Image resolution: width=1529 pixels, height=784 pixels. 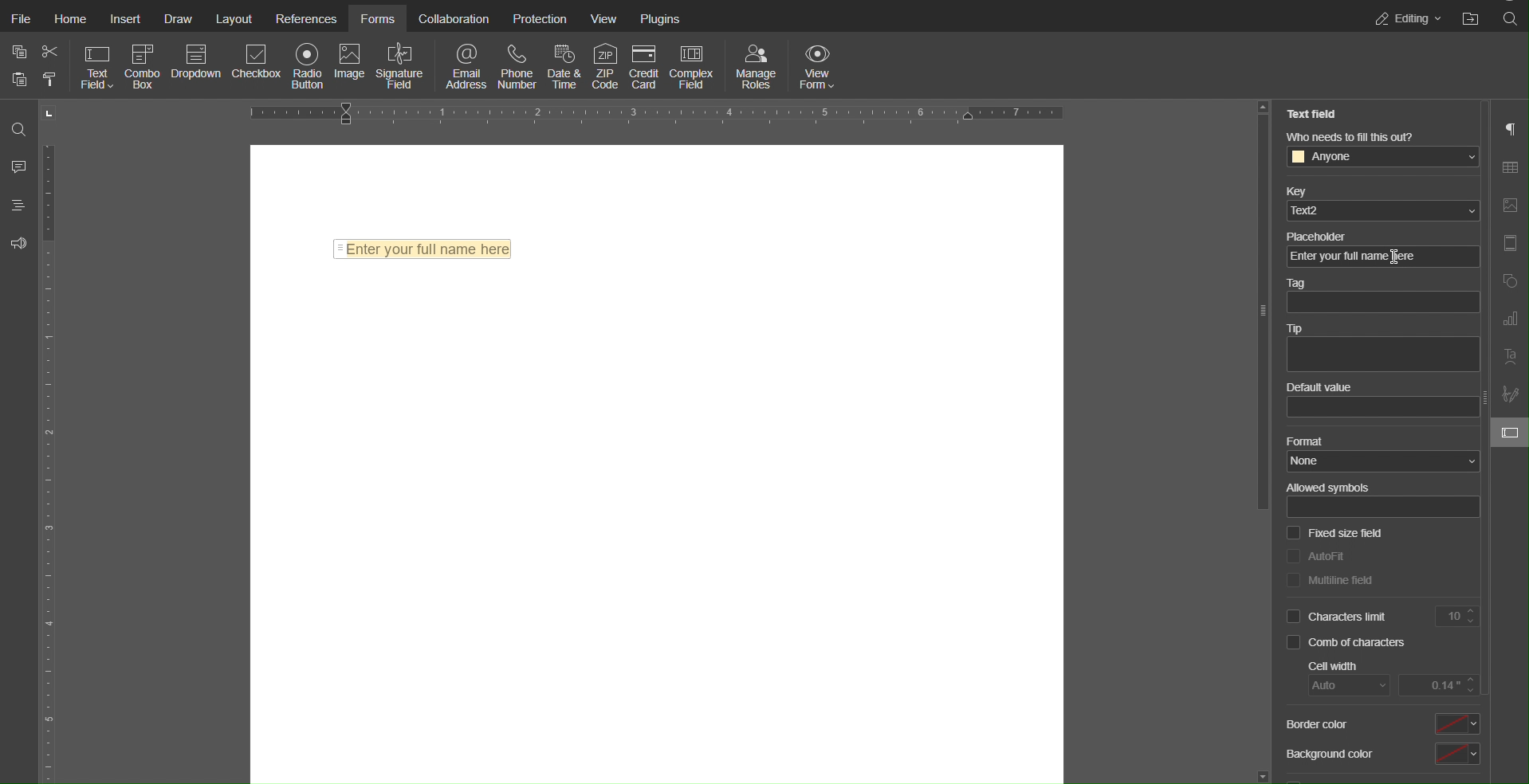 I want to click on Fixed size field, so click(x=1335, y=534).